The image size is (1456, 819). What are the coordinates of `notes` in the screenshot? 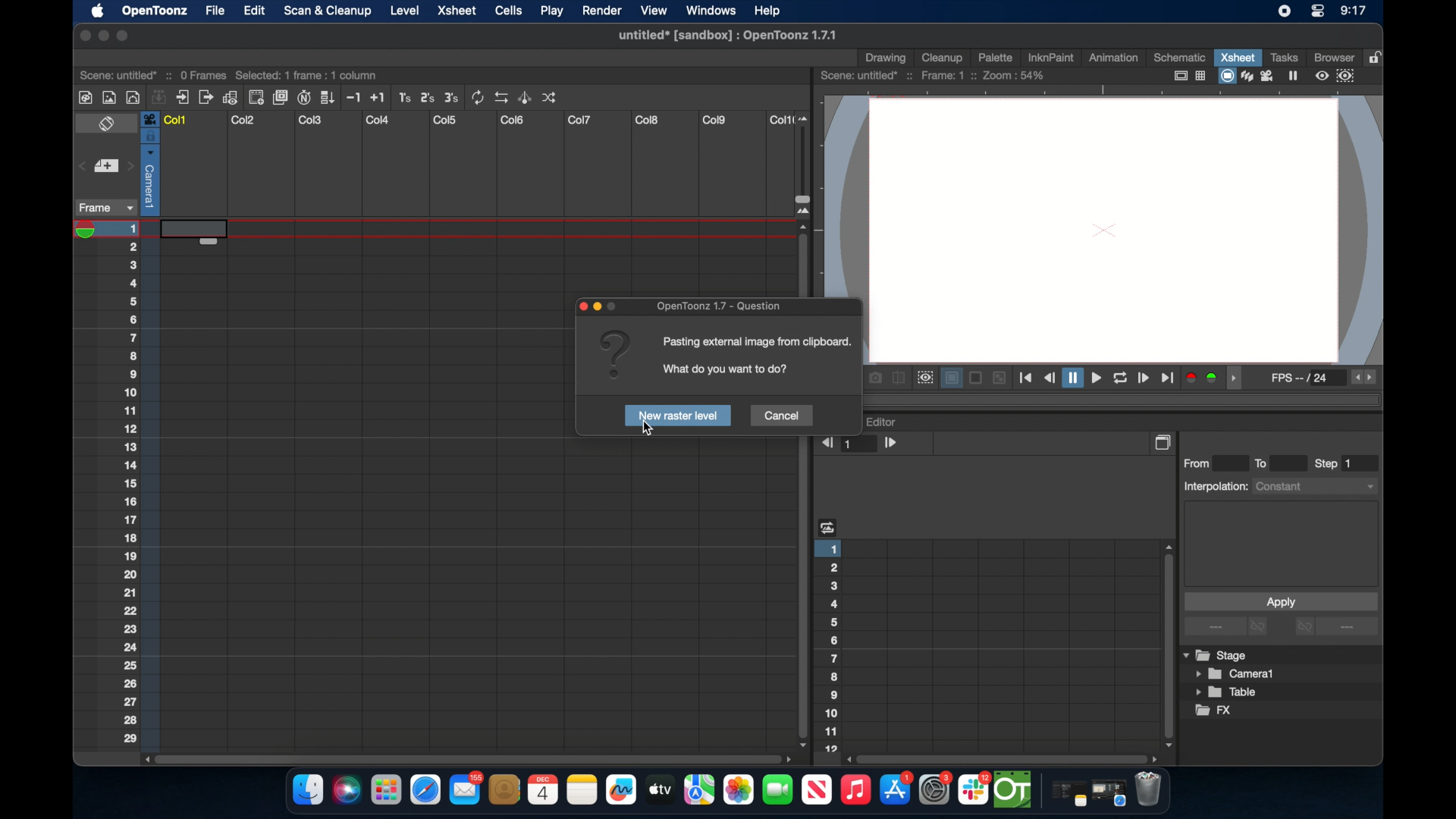 It's located at (582, 790).